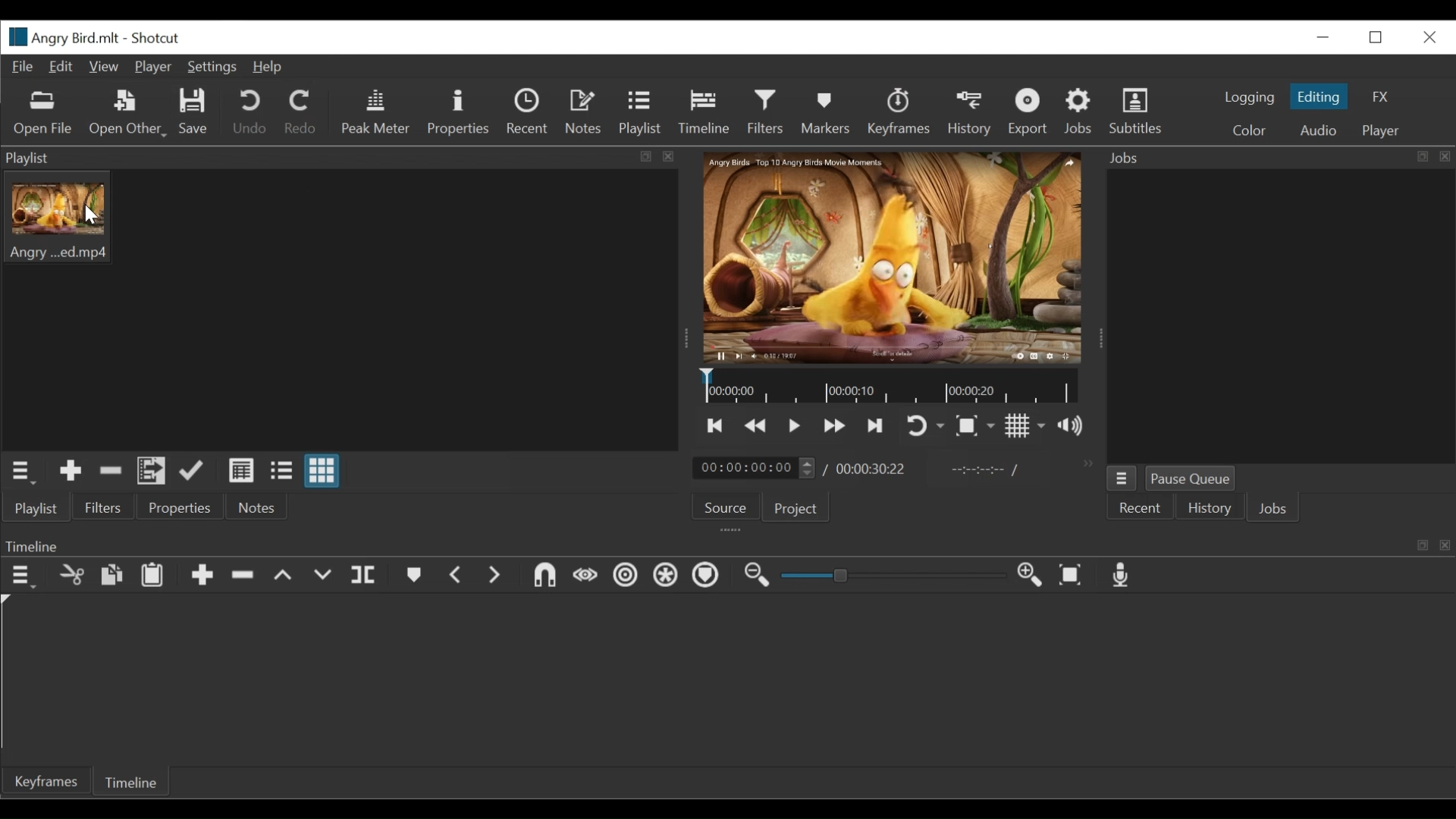 The width and height of the screenshot is (1456, 819). What do you see at coordinates (728, 544) in the screenshot?
I see `Timeline` at bounding box center [728, 544].